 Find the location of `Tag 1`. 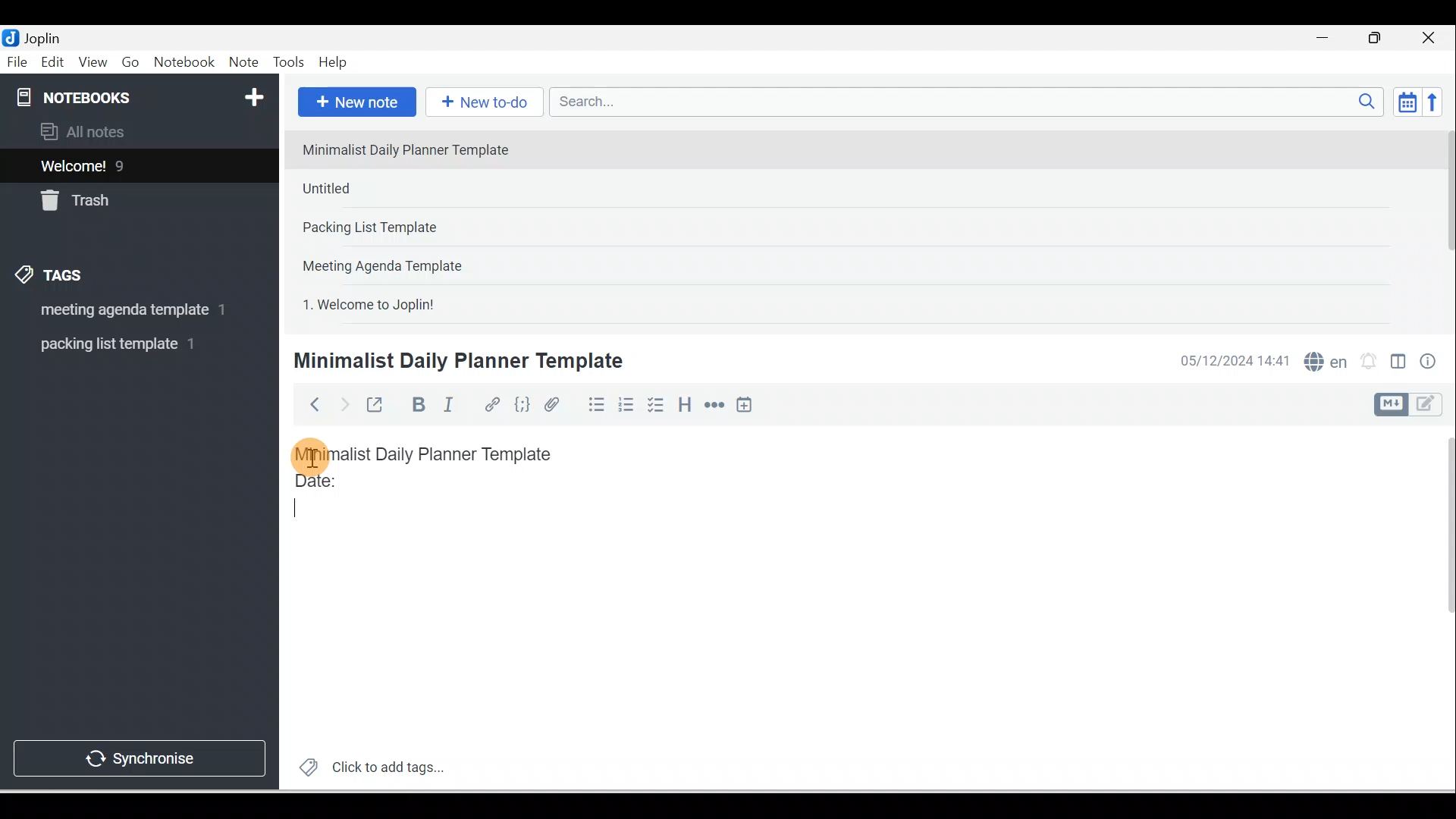

Tag 1 is located at coordinates (119, 311).